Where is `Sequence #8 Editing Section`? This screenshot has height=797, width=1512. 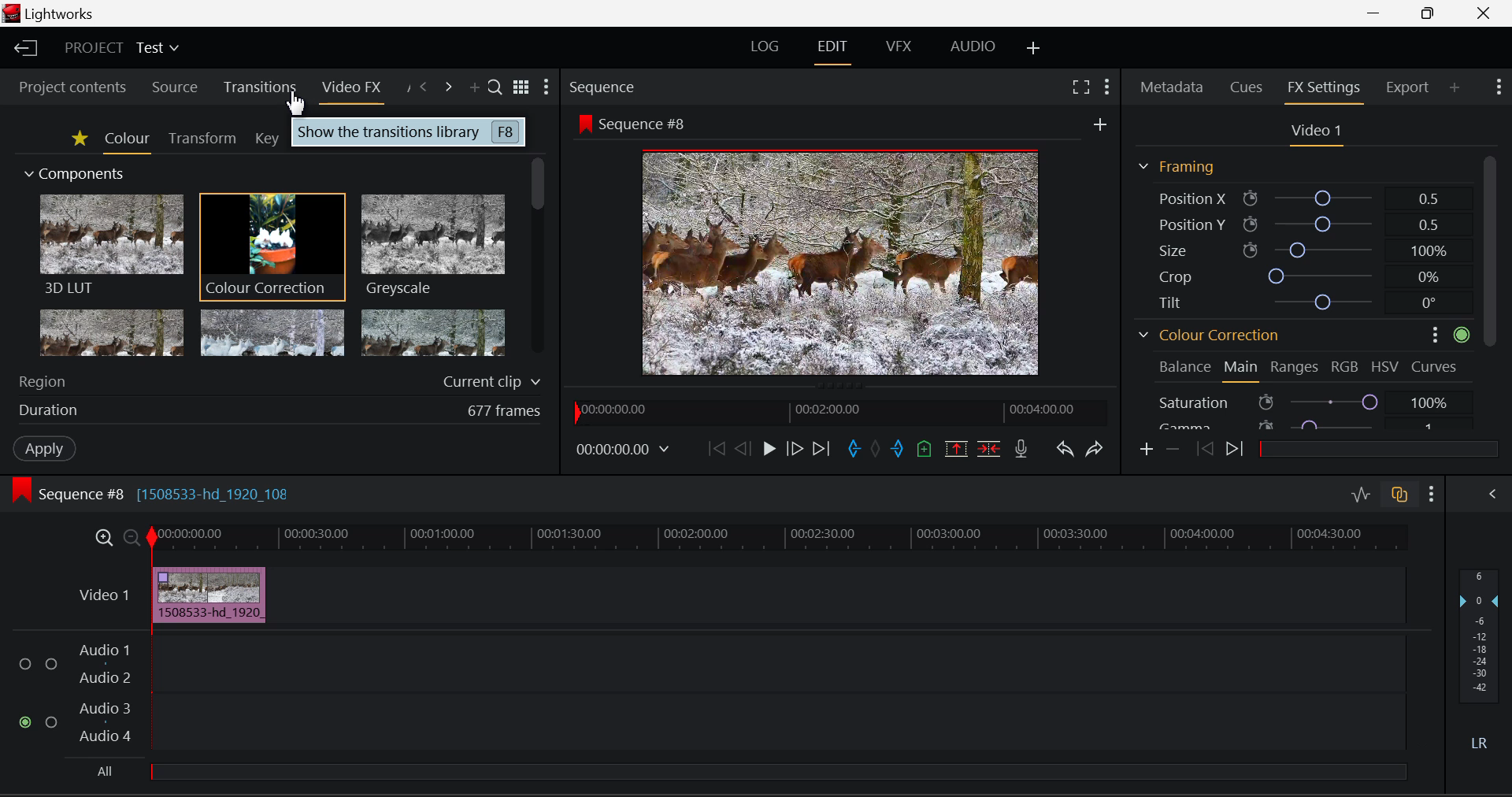 Sequence #8 Editing Section is located at coordinates (148, 493).